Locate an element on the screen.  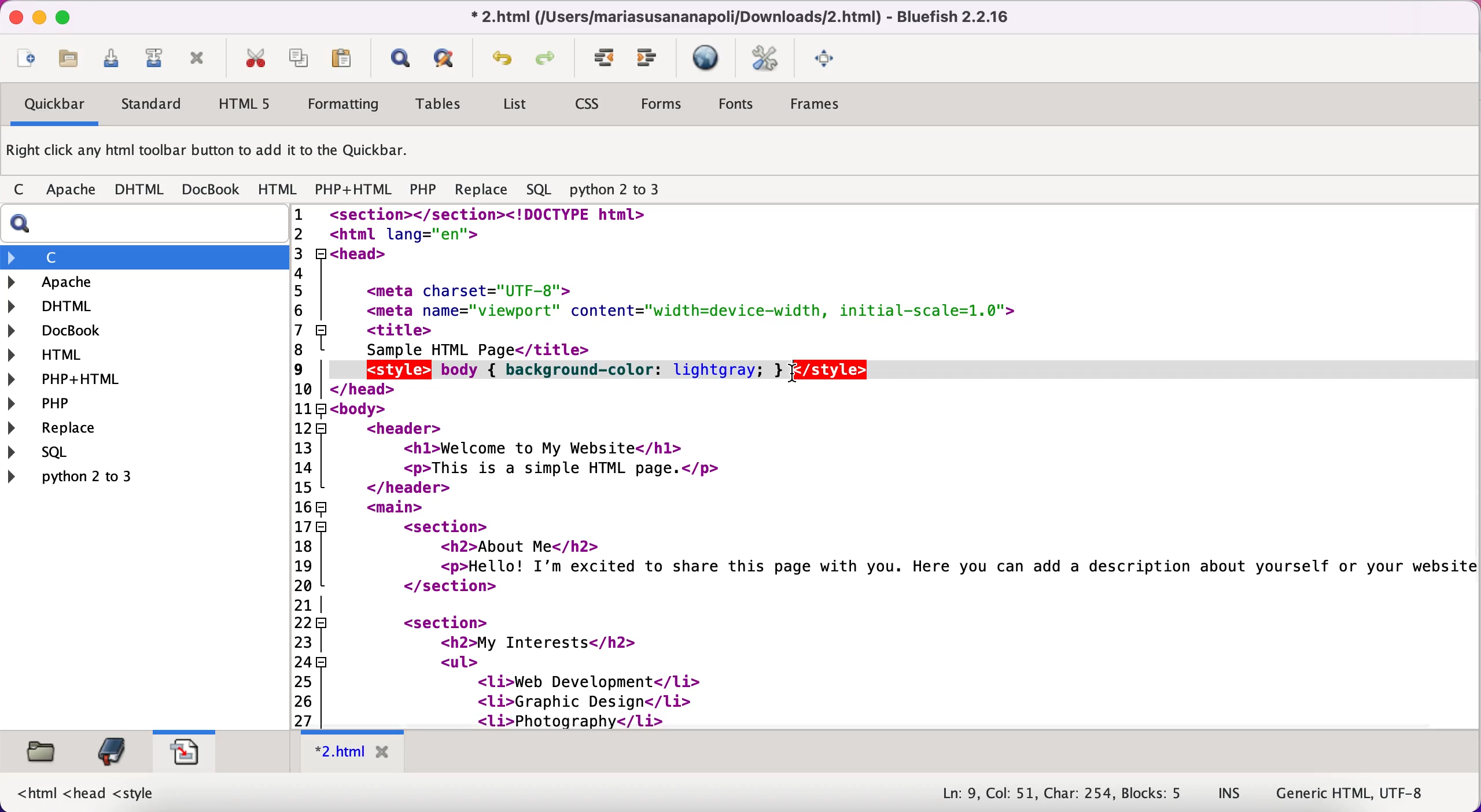
replace is located at coordinates (481, 193).